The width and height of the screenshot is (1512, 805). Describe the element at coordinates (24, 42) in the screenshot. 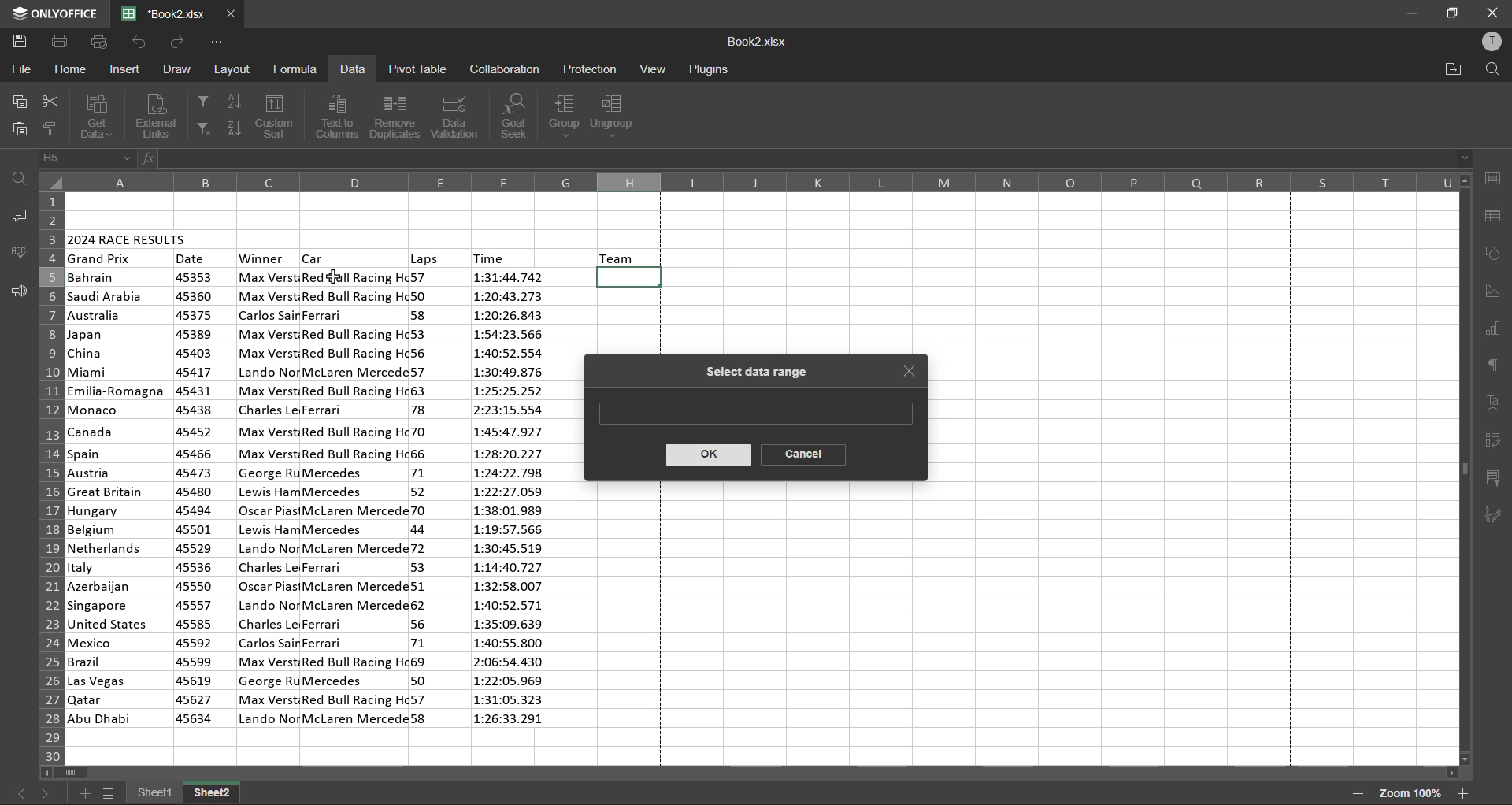

I see `save` at that location.